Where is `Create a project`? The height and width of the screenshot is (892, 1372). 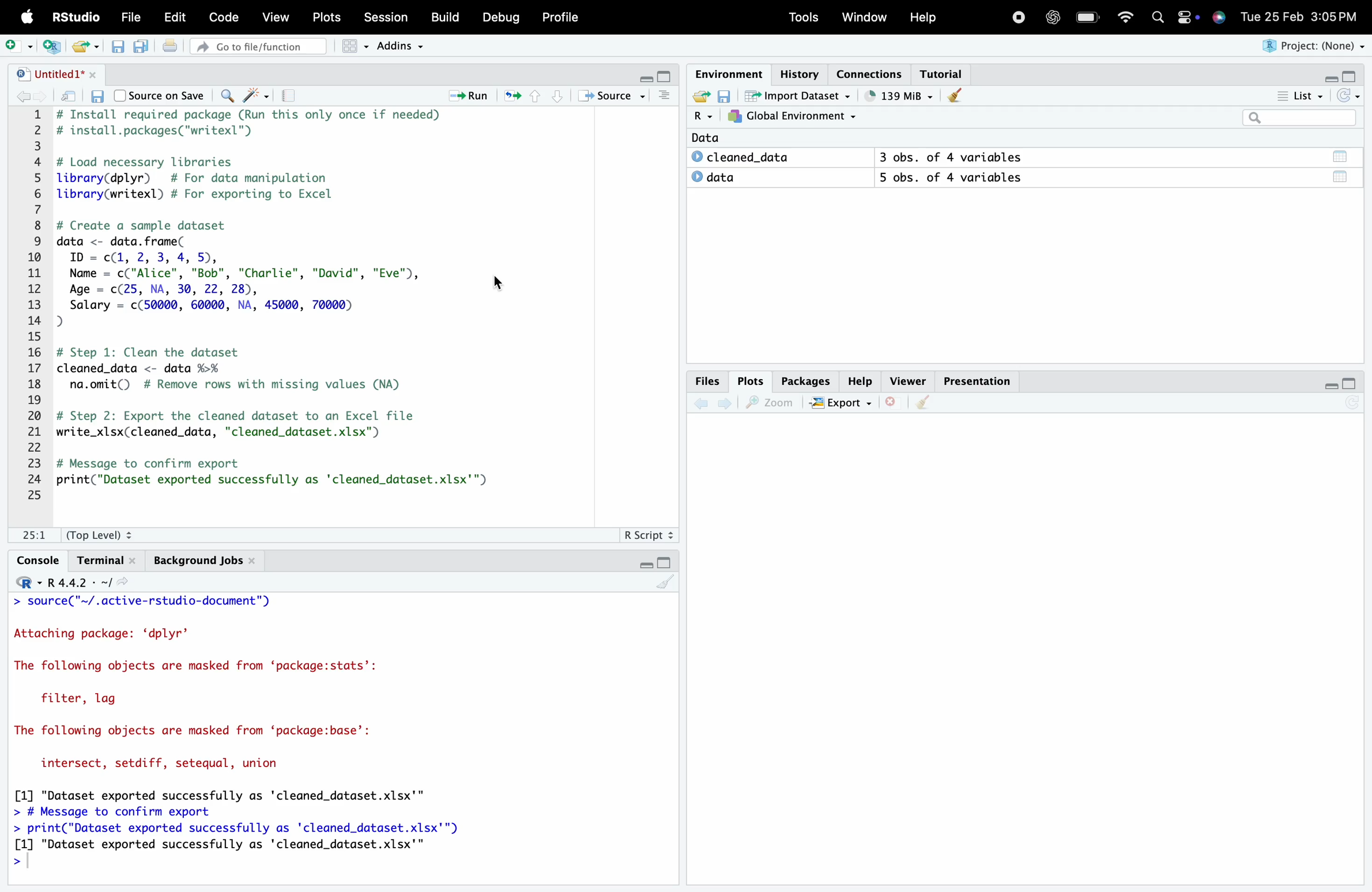
Create a project is located at coordinates (49, 46).